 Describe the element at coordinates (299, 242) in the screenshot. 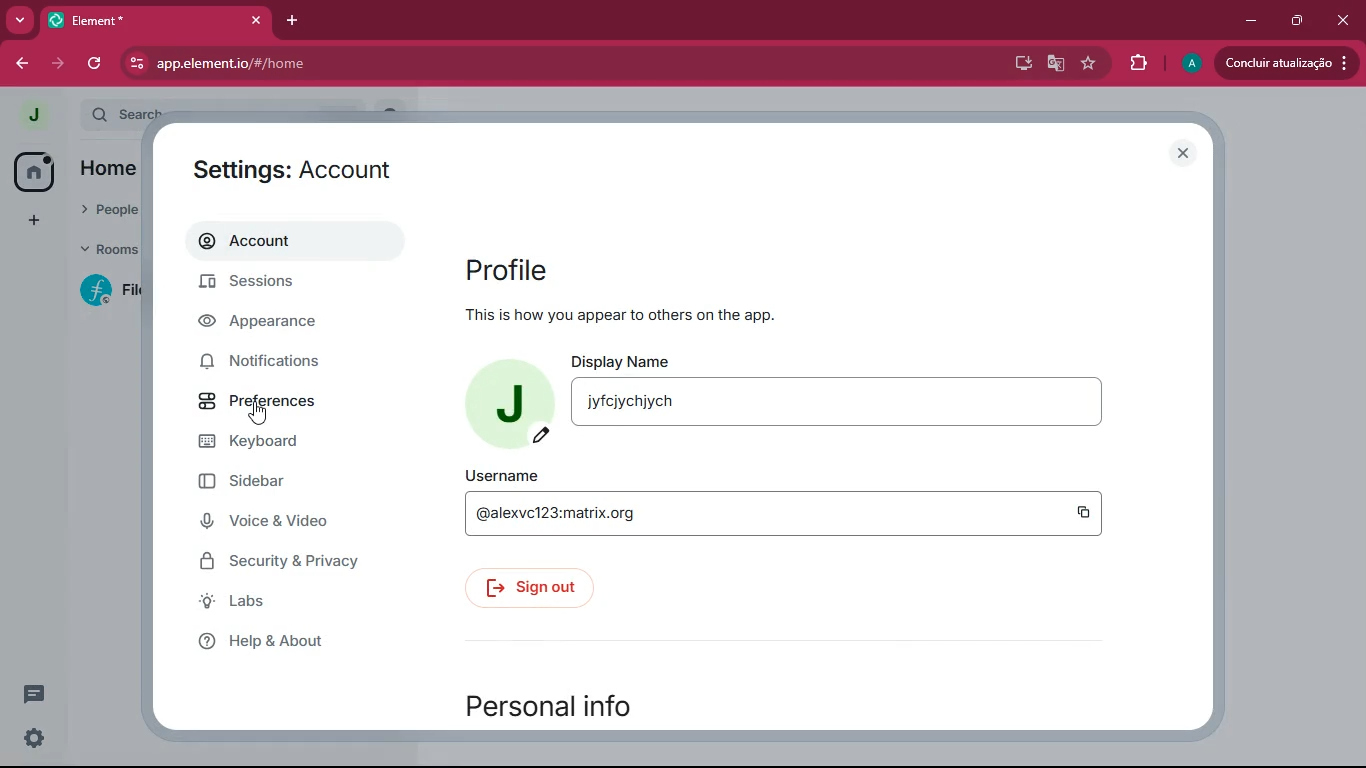

I see `account` at that location.